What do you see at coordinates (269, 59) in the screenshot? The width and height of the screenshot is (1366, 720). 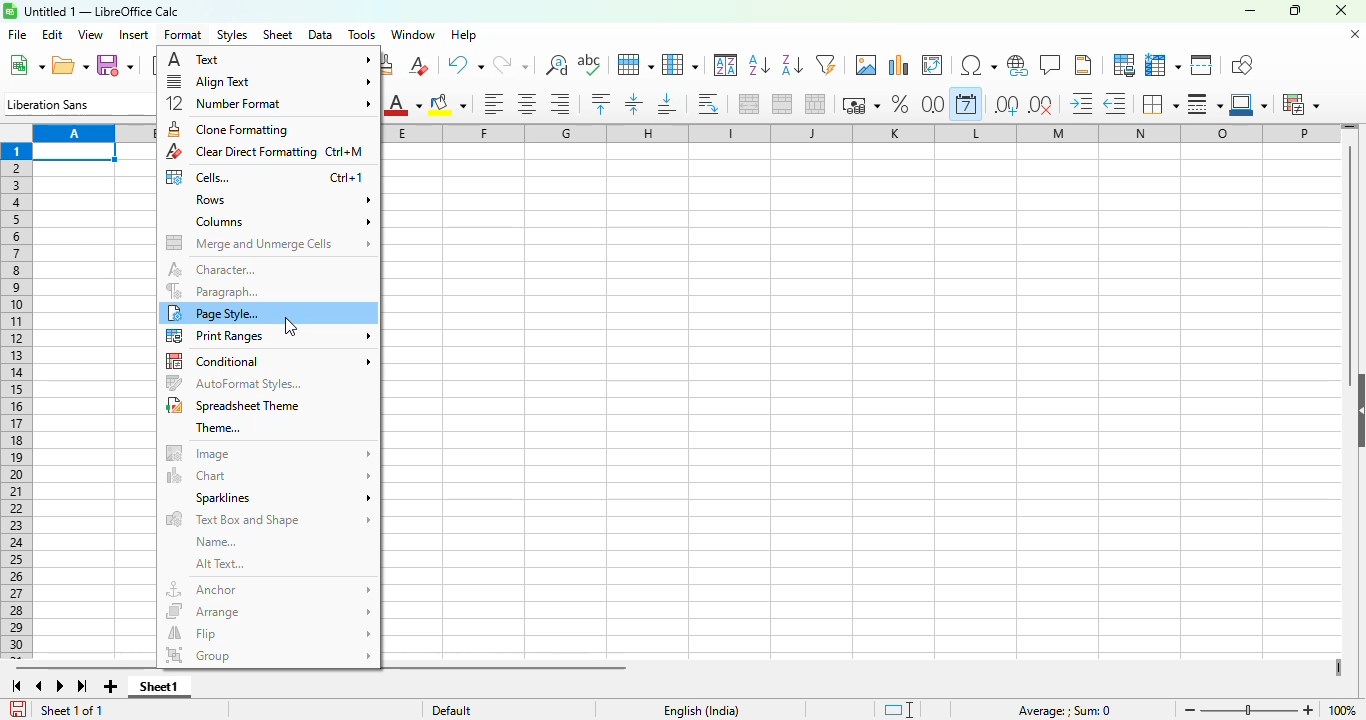 I see `text` at bounding box center [269, 59].